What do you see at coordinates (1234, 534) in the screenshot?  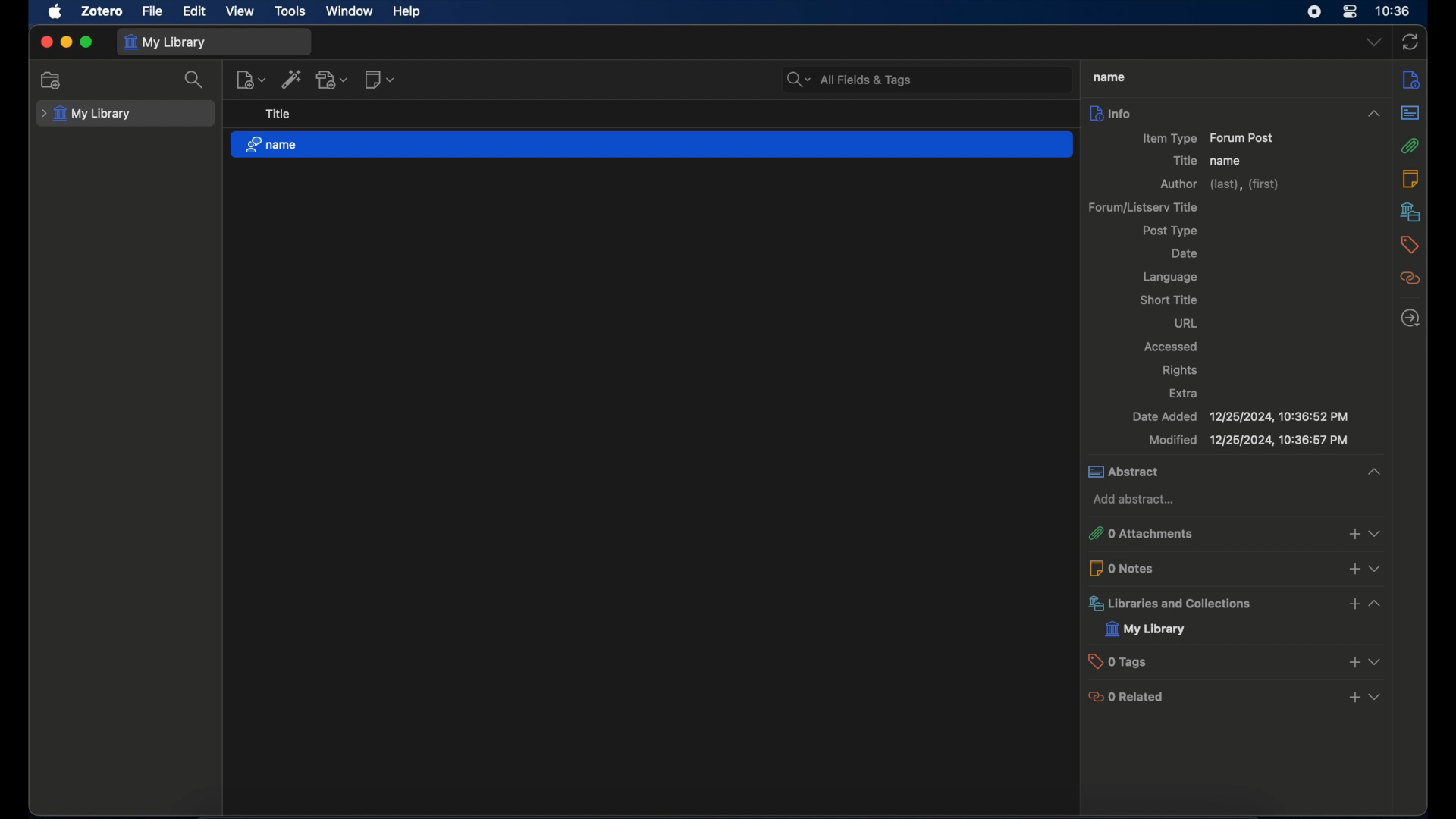 I see `0 attachments` at bounding box center [1234, 534].